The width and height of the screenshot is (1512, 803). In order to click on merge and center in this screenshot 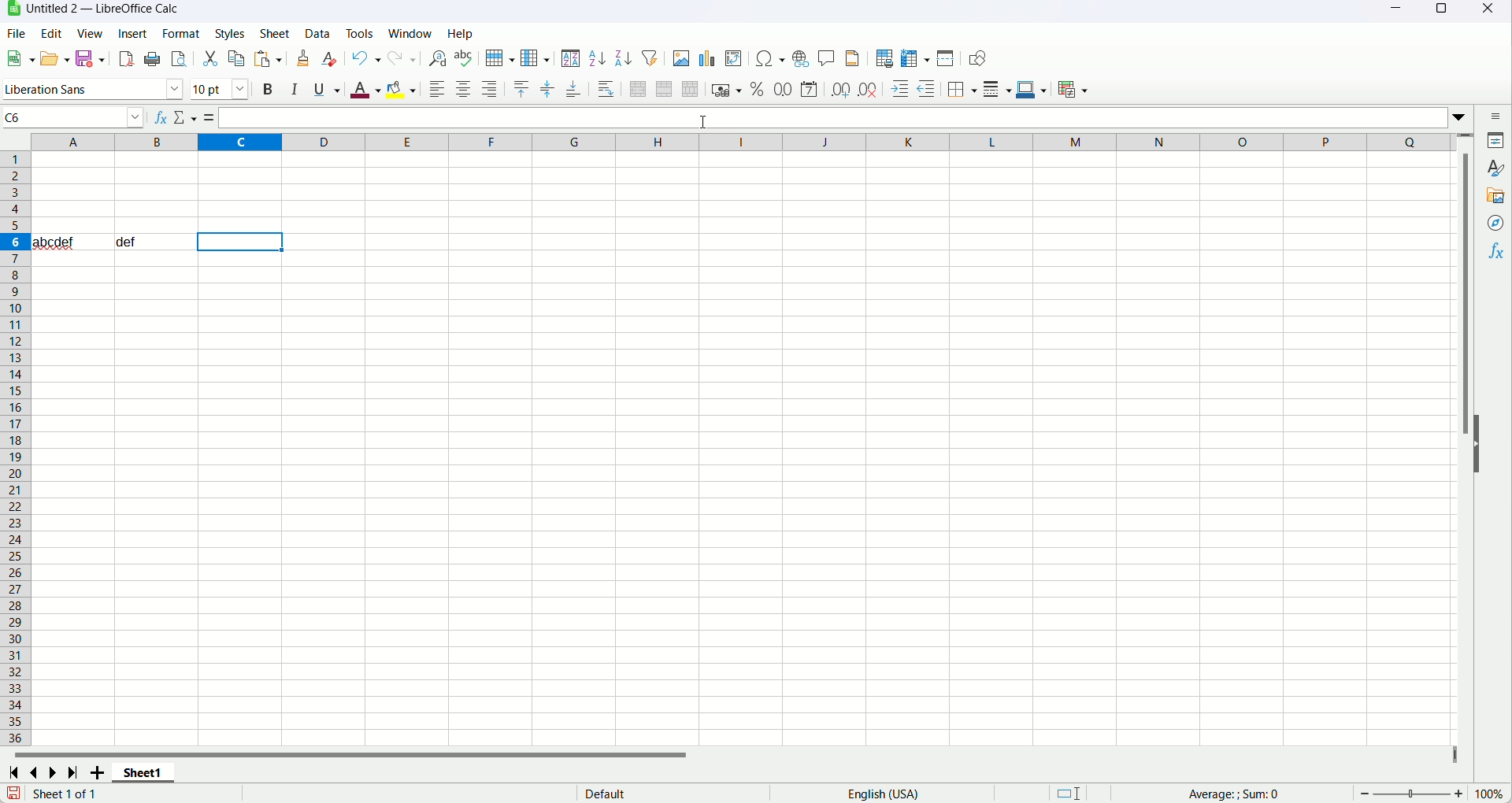, I will do `click(637, 90)`.